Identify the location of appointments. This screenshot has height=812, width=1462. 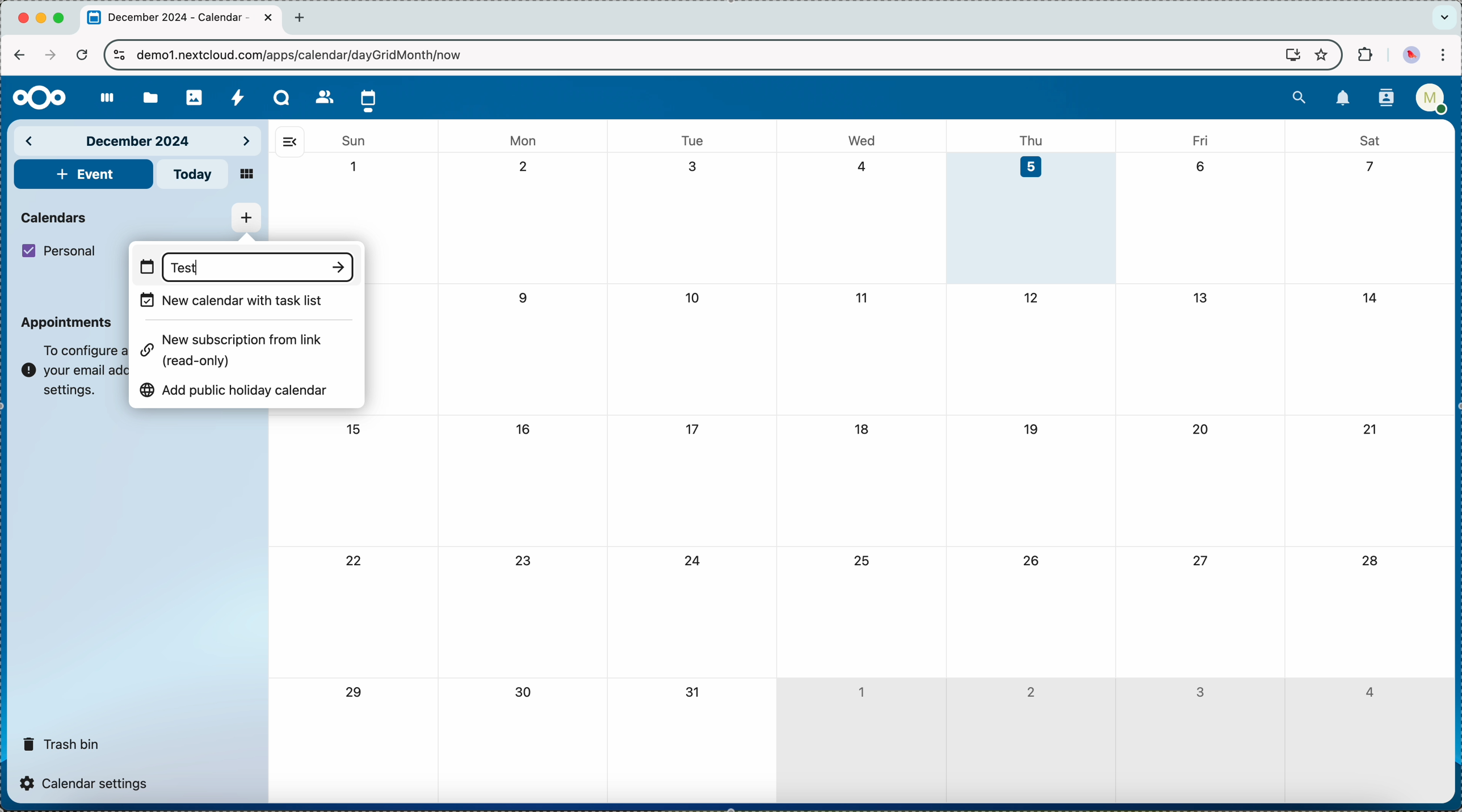
(68, 322).